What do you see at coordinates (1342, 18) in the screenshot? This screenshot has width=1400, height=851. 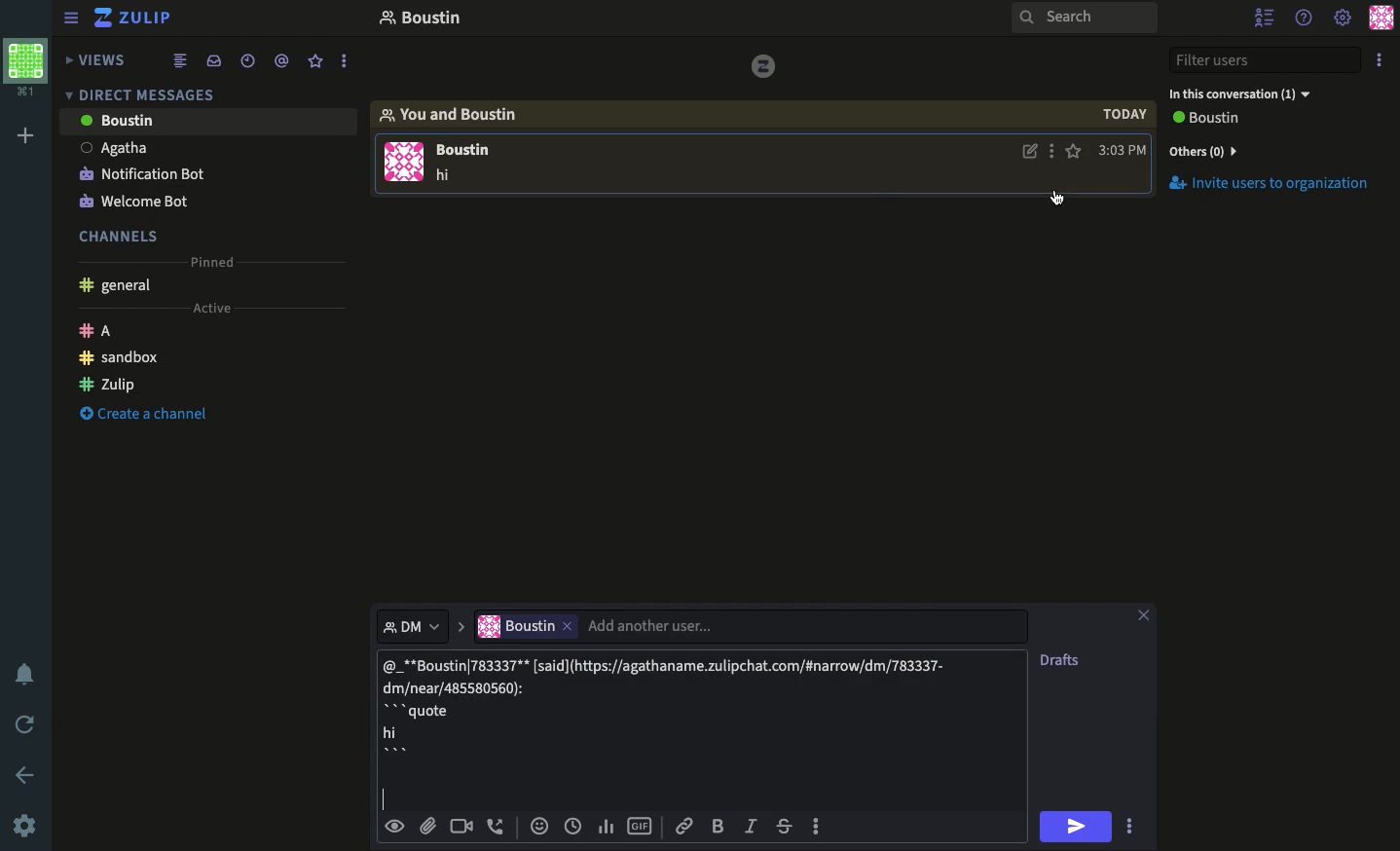 I see `Settings` at bounding box center [1342, 18].